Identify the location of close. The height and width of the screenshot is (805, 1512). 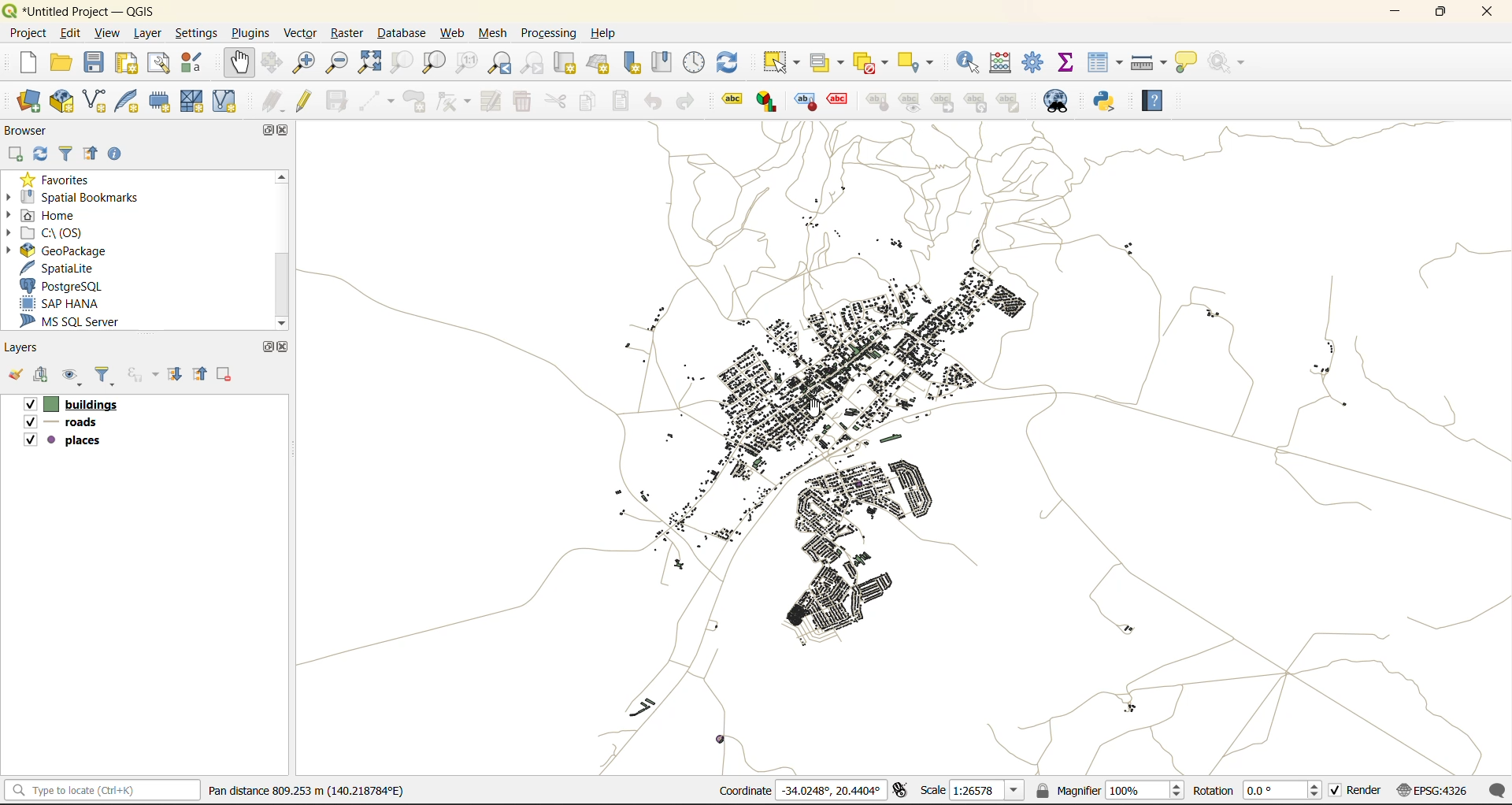
(1489, 15).